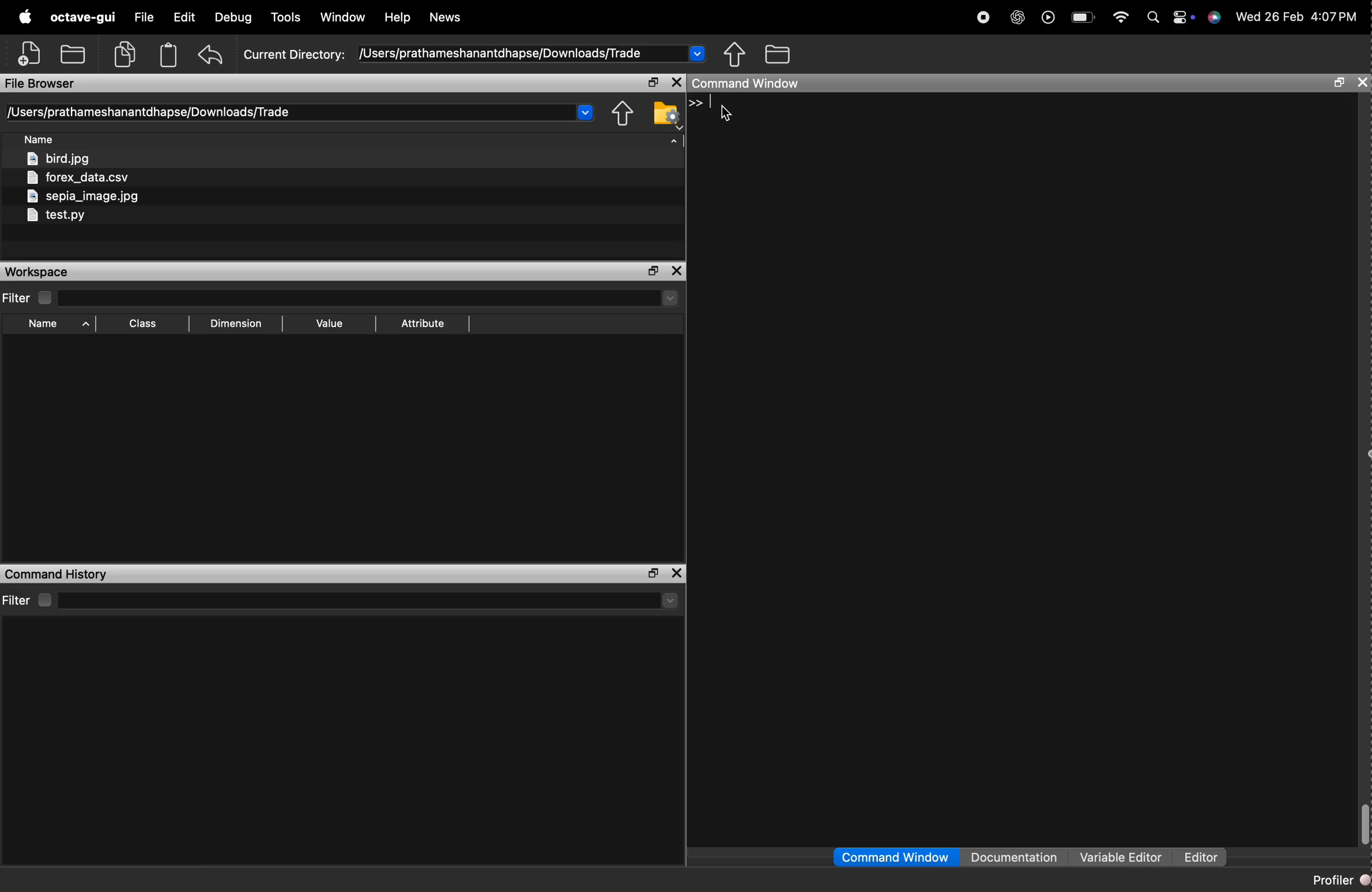 The width and height of the screenshot is (1372, 892). I want to click on Editor, so click(1203, 856).